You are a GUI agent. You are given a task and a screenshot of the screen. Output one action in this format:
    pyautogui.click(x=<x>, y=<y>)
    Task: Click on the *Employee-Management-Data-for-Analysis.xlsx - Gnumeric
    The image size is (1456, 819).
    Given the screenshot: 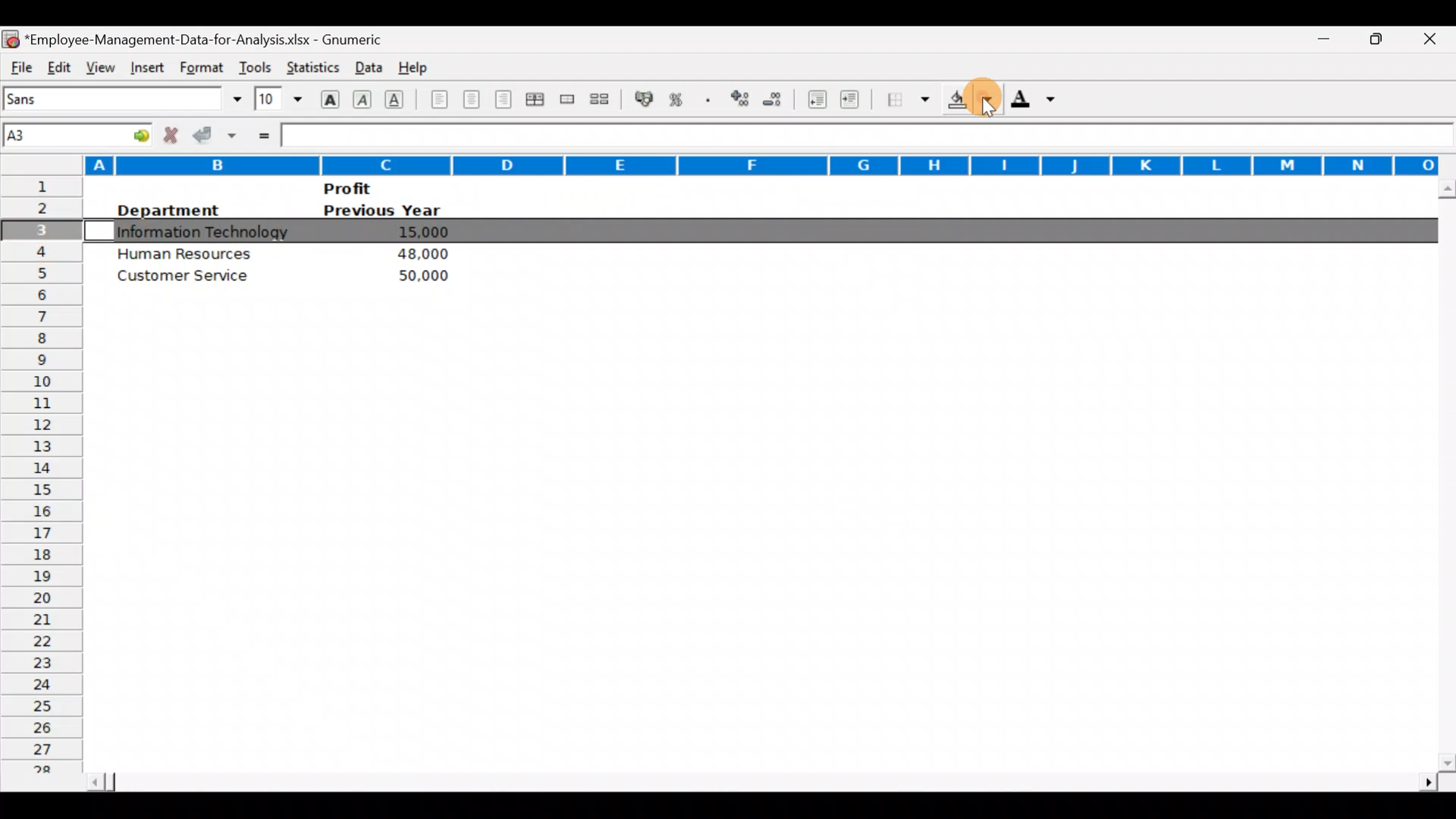 What is the action you would take?
    pyautogui.click(x=213, y=37)
    